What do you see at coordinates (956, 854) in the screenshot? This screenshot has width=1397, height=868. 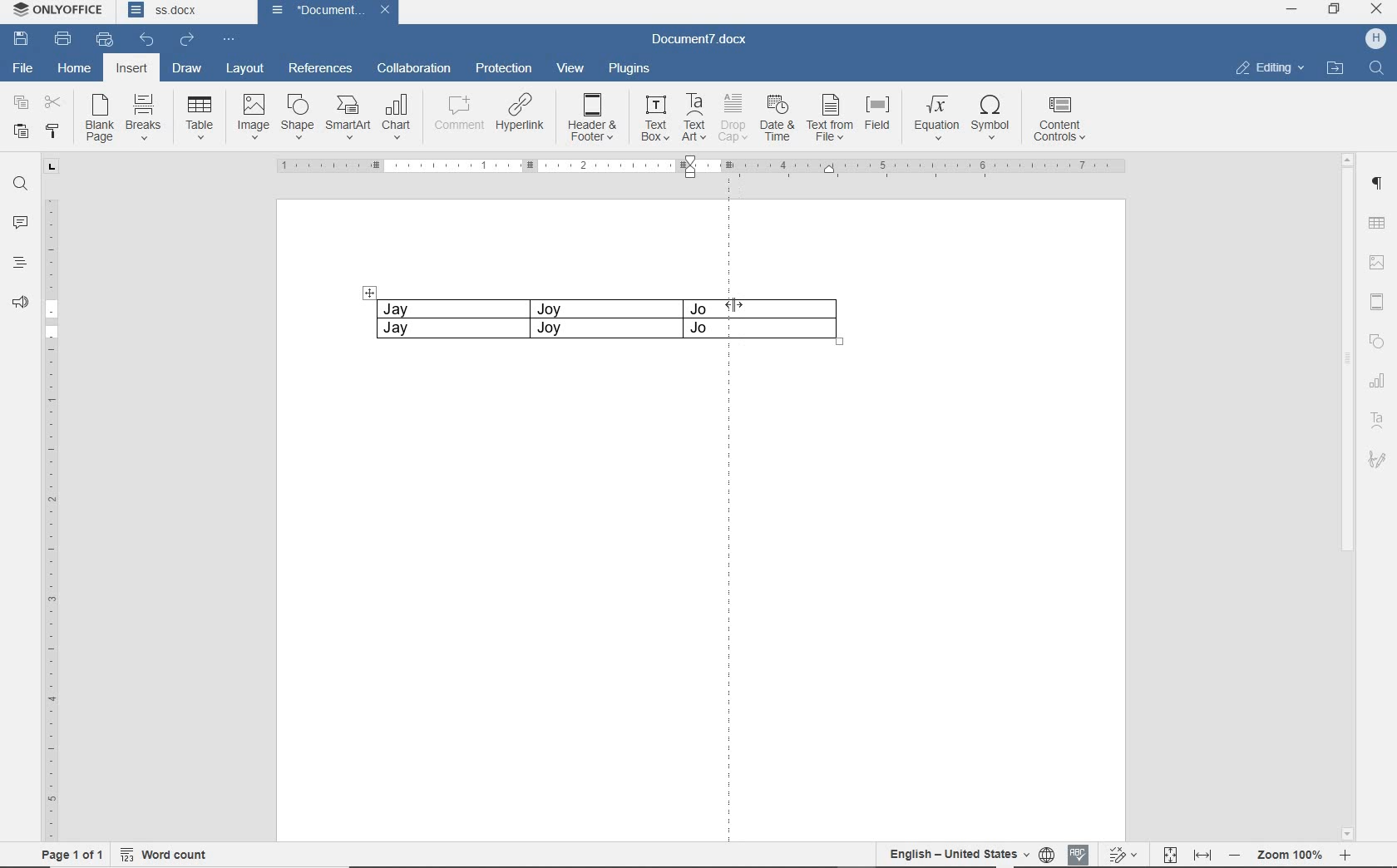 I see `TEXT LANGUAGE` at bounding box center [956, 854].